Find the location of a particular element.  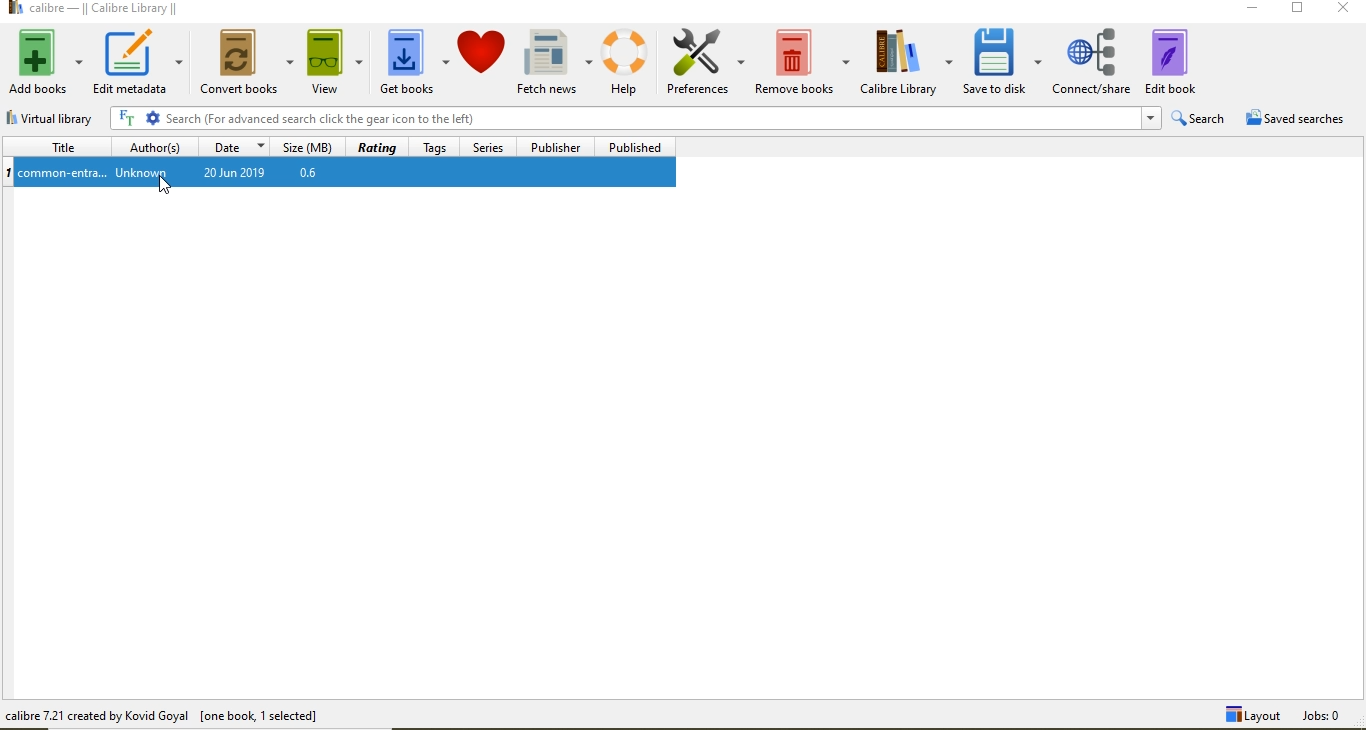

fetch news is located at coordinates (557, 60).